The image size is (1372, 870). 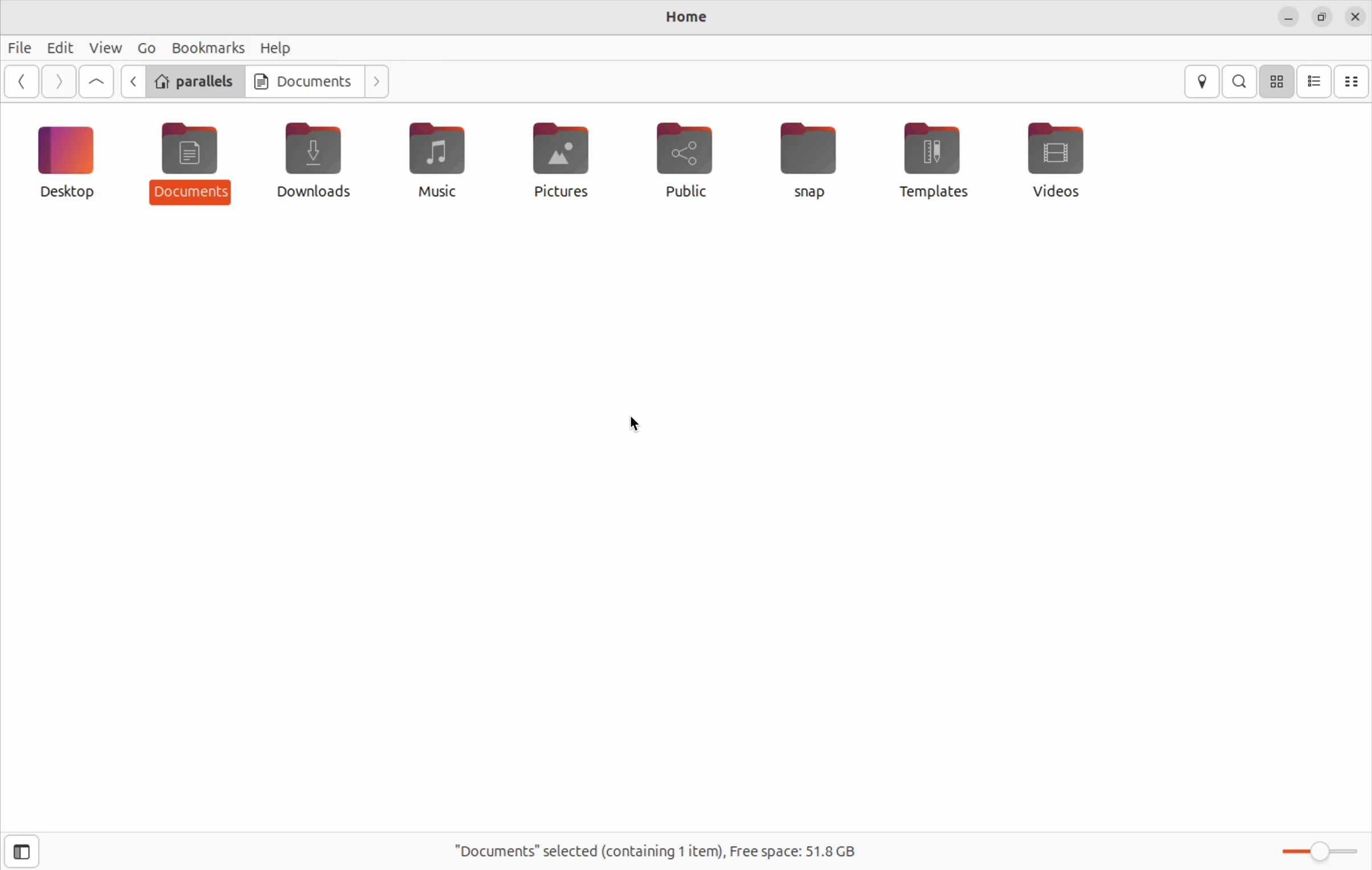 I want to click on Bookmarks, so click(x=211, y=47).